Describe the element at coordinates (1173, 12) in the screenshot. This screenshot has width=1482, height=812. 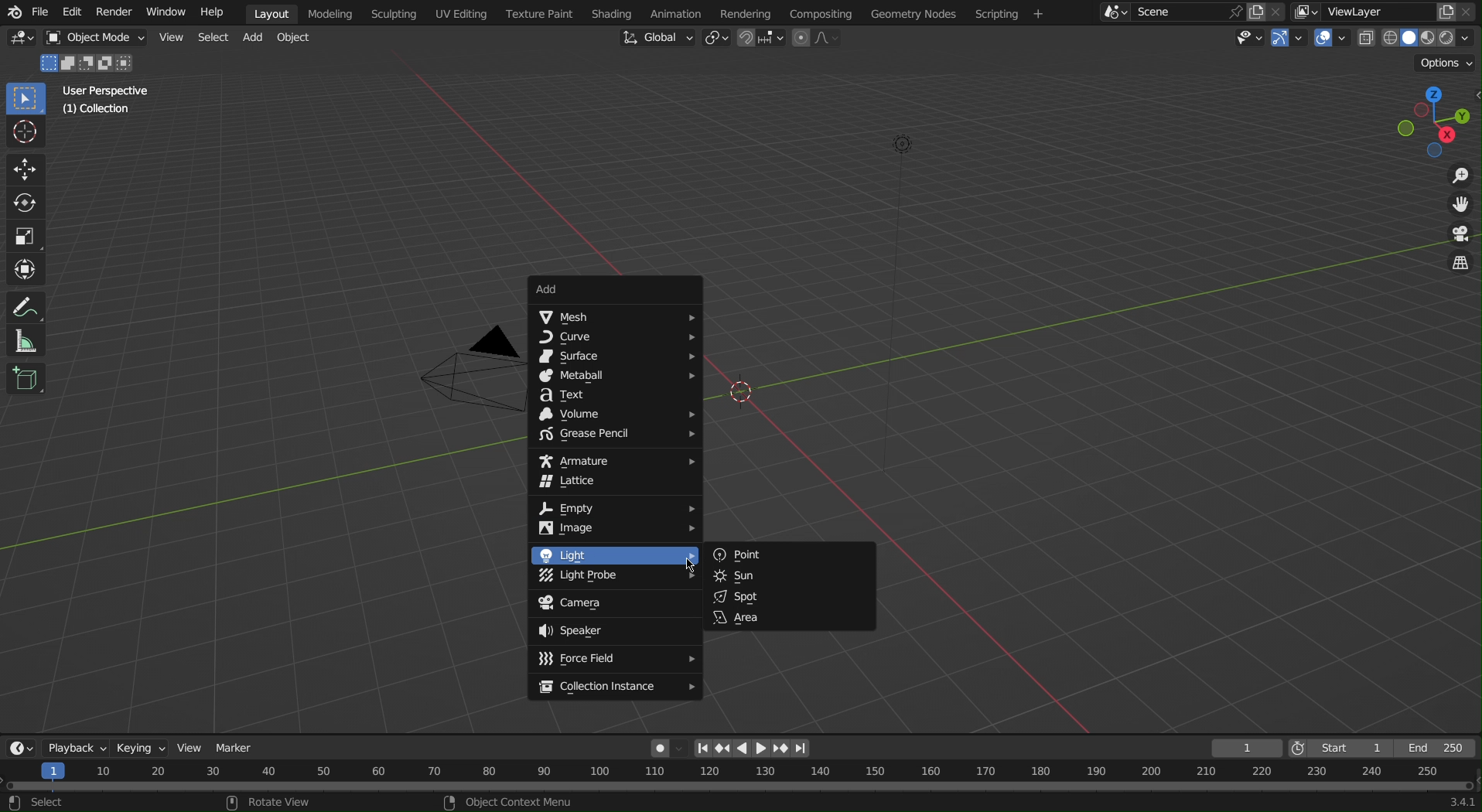
I see `Scene` at that location.